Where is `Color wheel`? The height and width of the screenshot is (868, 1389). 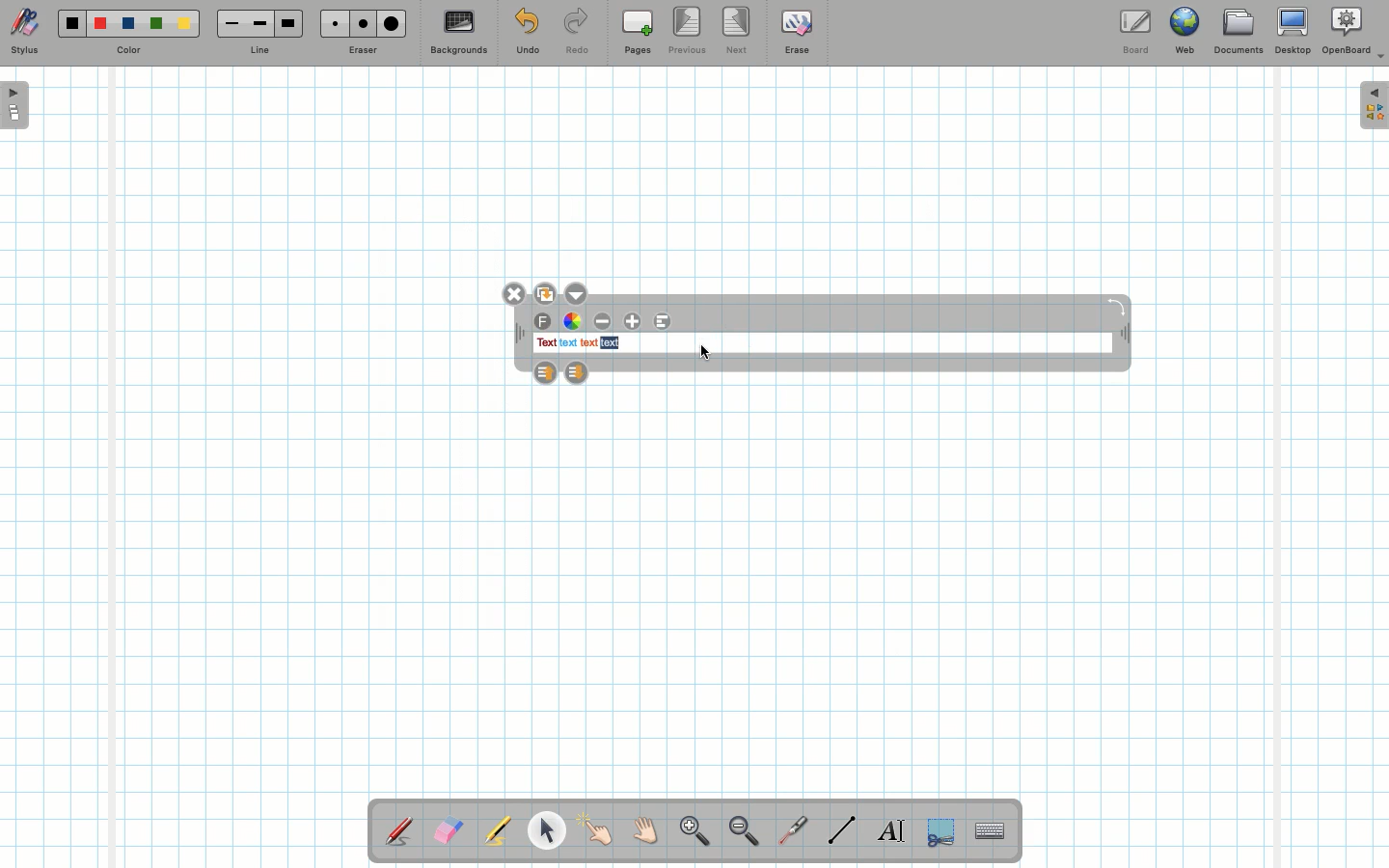 Color wheel is located at coordinates (572, 321).